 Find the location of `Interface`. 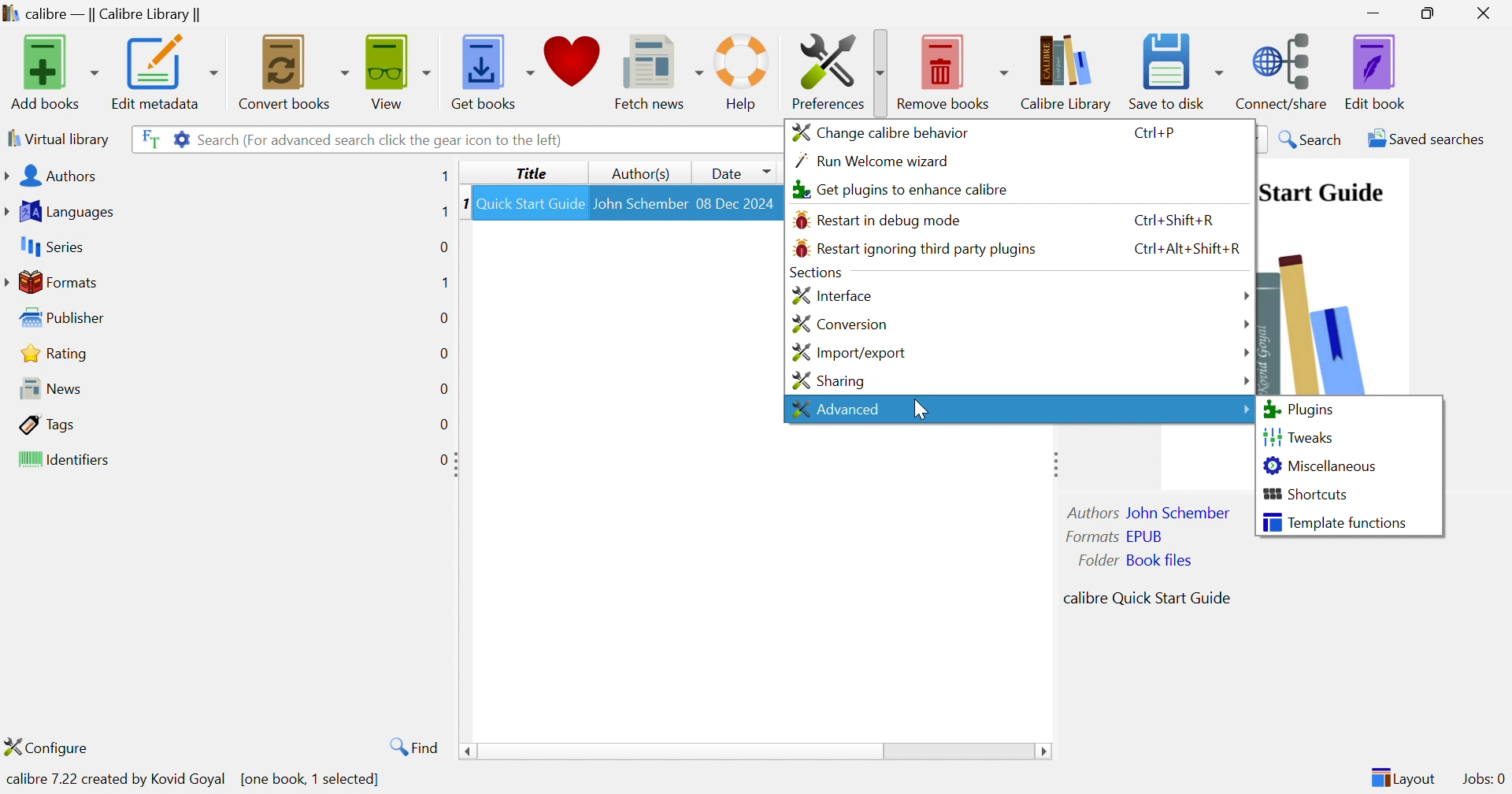

Interface is located at coordinates (830, 295).